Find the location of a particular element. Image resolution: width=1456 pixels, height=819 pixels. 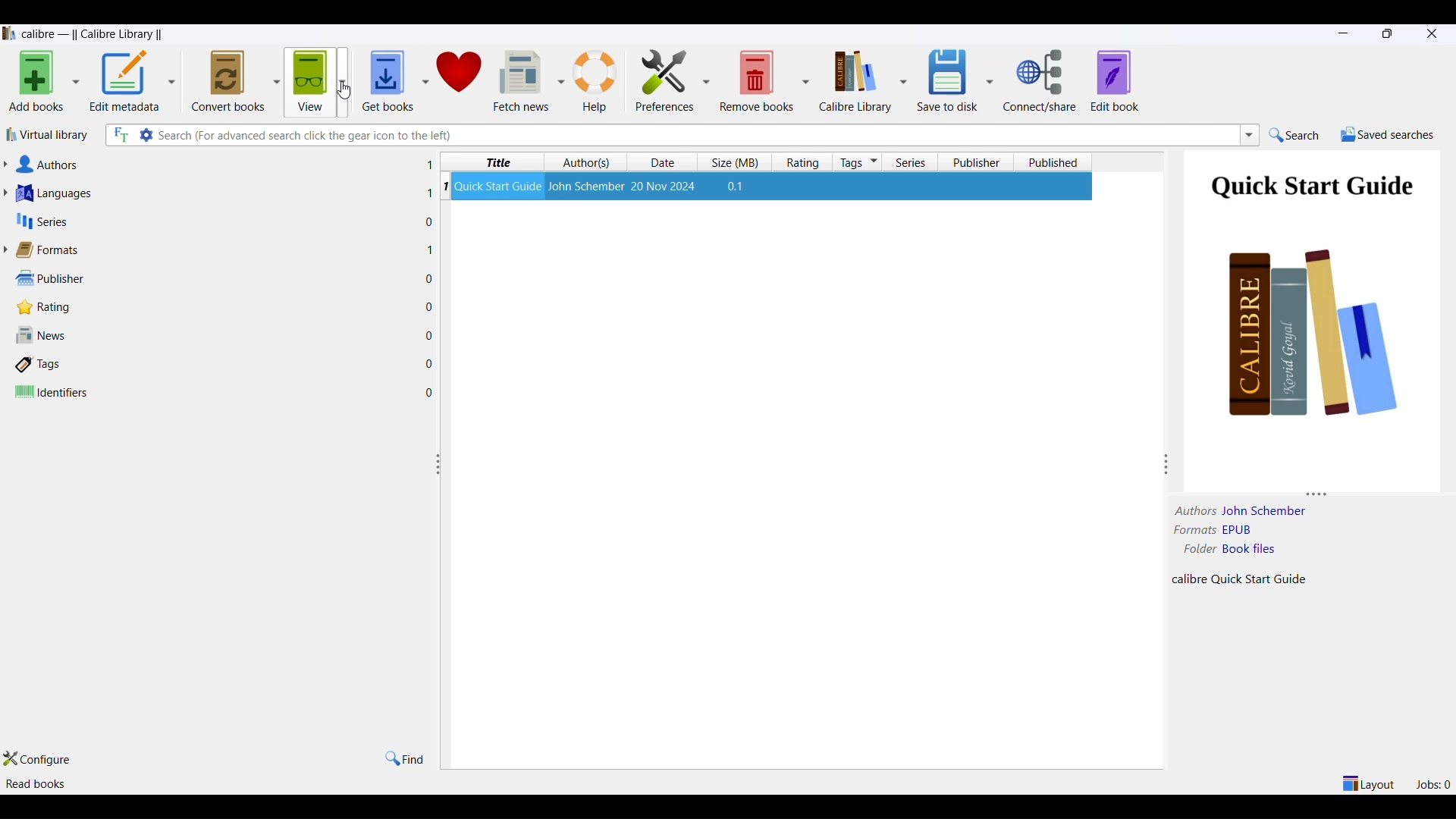

ratings is located at coordinates (805, 161).